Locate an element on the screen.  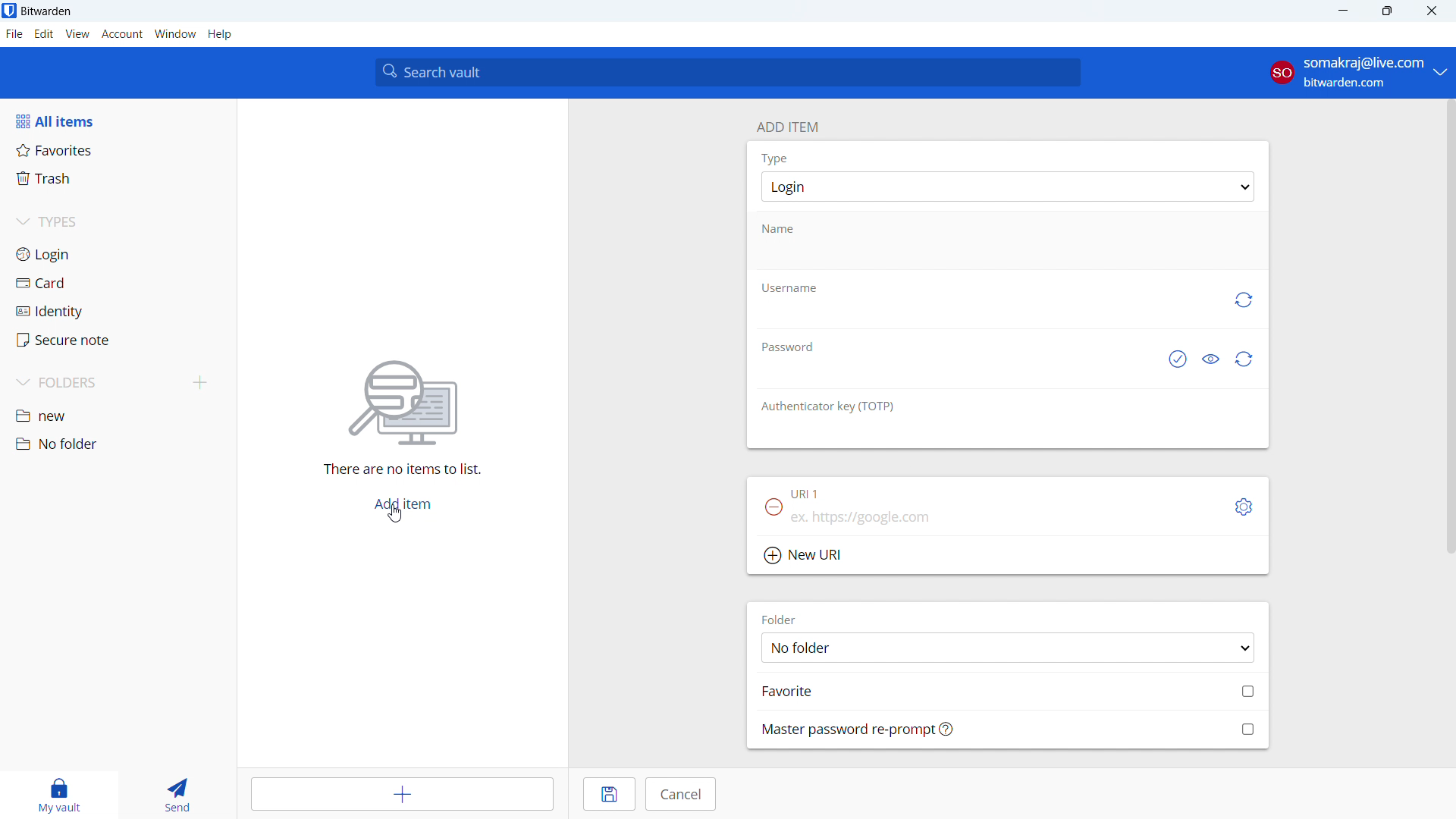
there are no items to list  is located at coordinates (397, 471).